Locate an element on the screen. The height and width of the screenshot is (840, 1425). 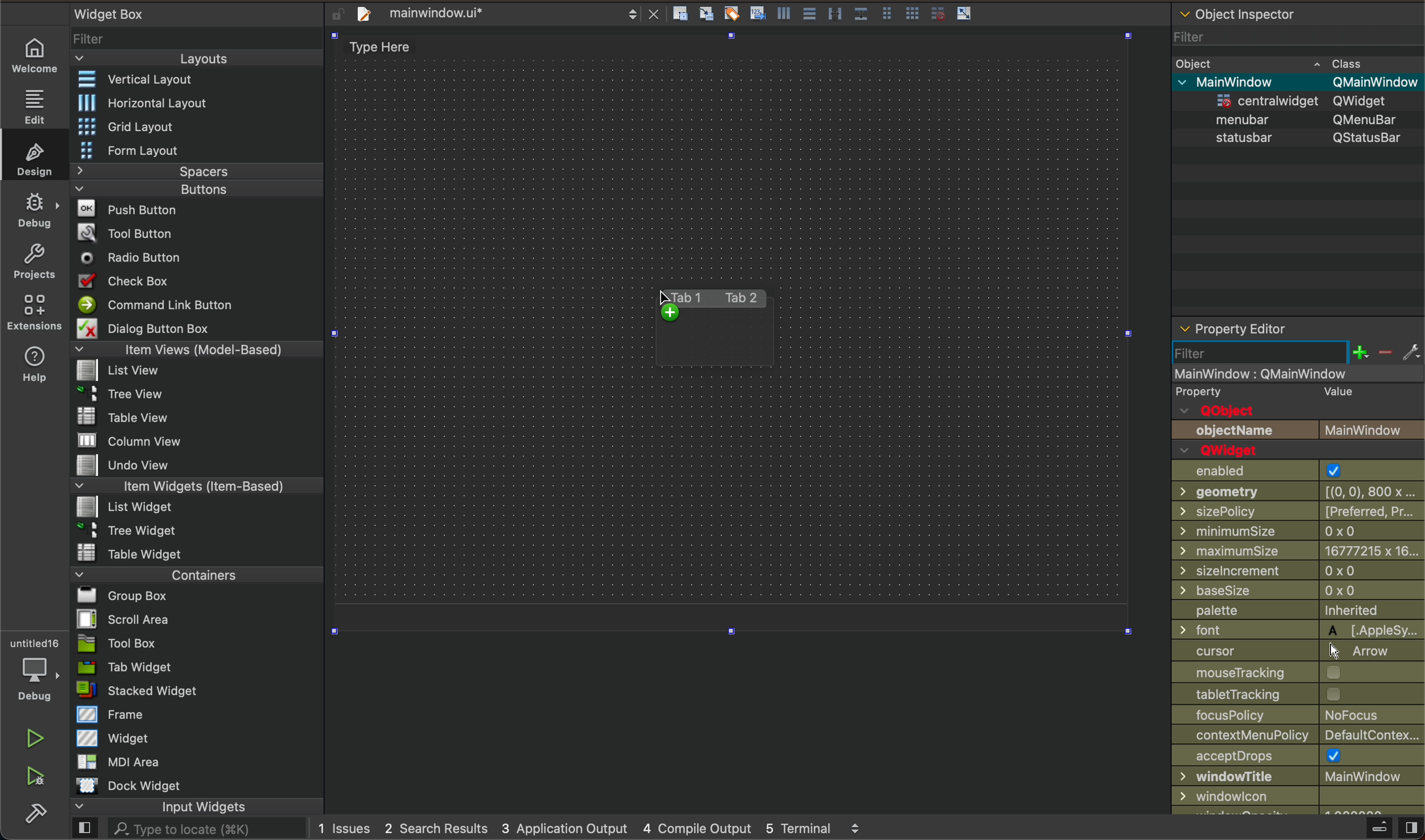
geometry is located at coordinates (1300, 491).